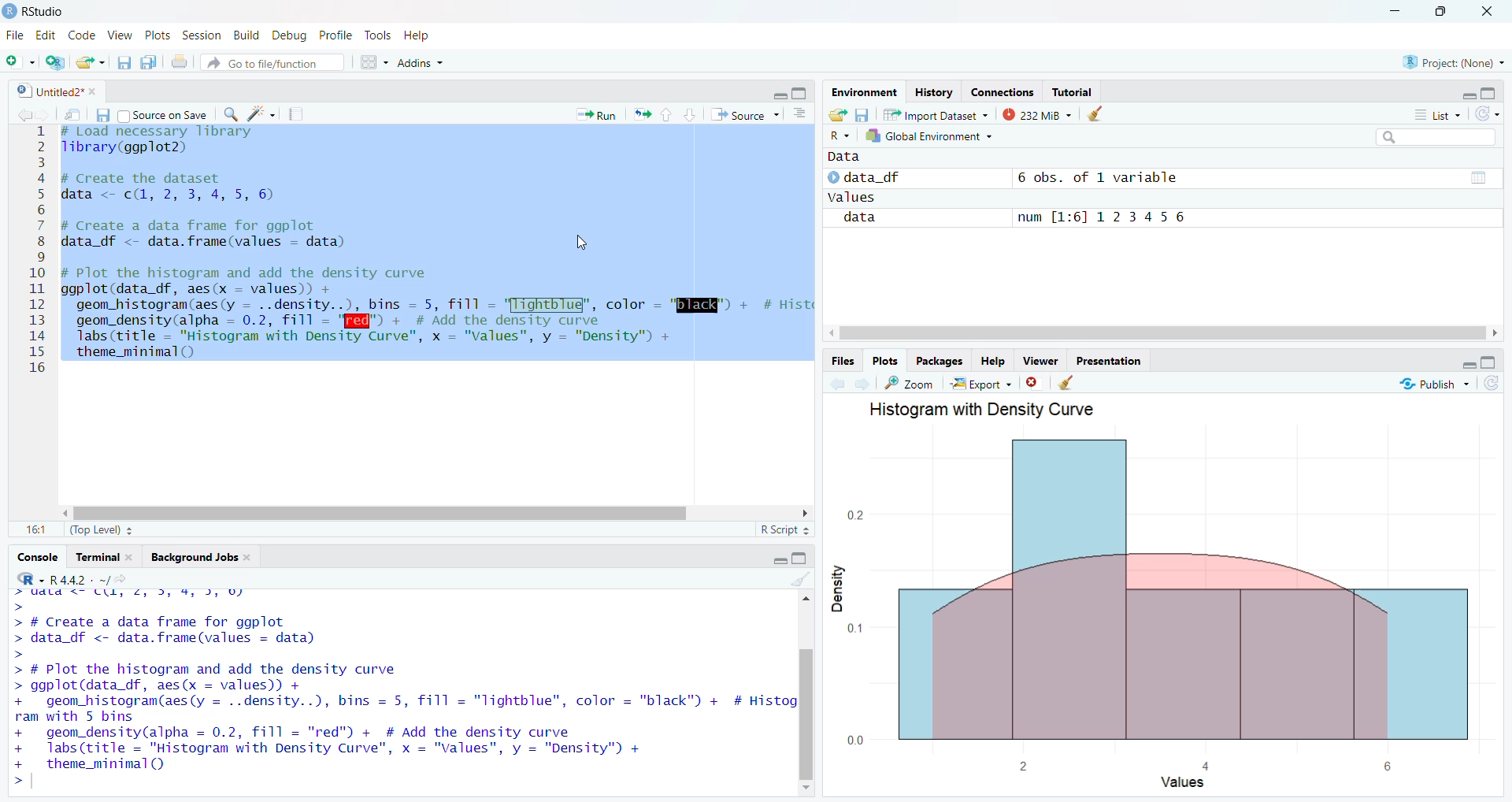  Describe the element at coordinates (36, 11) in the screenshot. I see `RStudio` at that location.